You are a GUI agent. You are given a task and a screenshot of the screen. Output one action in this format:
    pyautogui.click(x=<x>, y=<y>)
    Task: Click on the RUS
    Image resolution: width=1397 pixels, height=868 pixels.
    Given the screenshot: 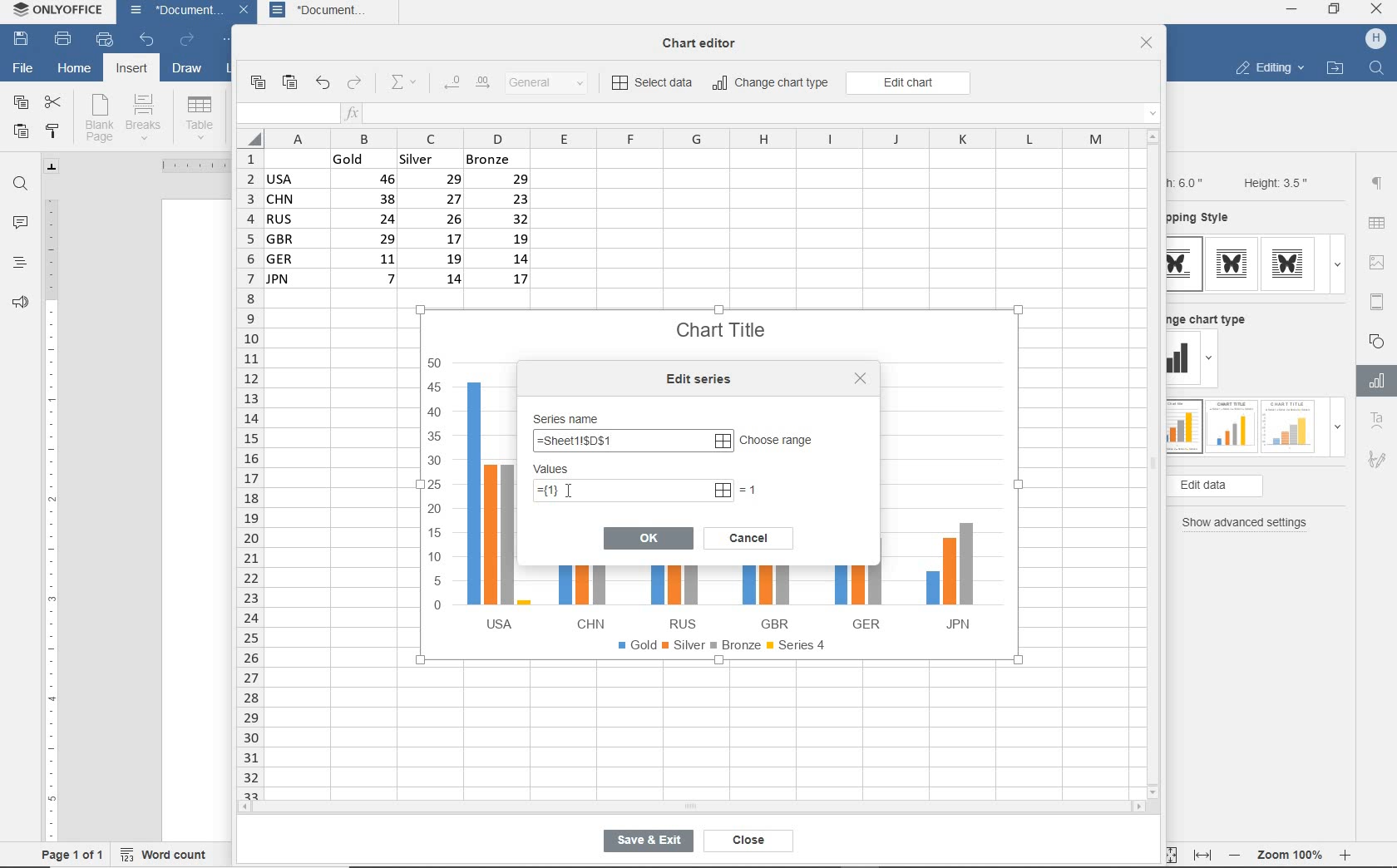 What is the action you would take?
    pyautogui.click(x=678, y=597)
    